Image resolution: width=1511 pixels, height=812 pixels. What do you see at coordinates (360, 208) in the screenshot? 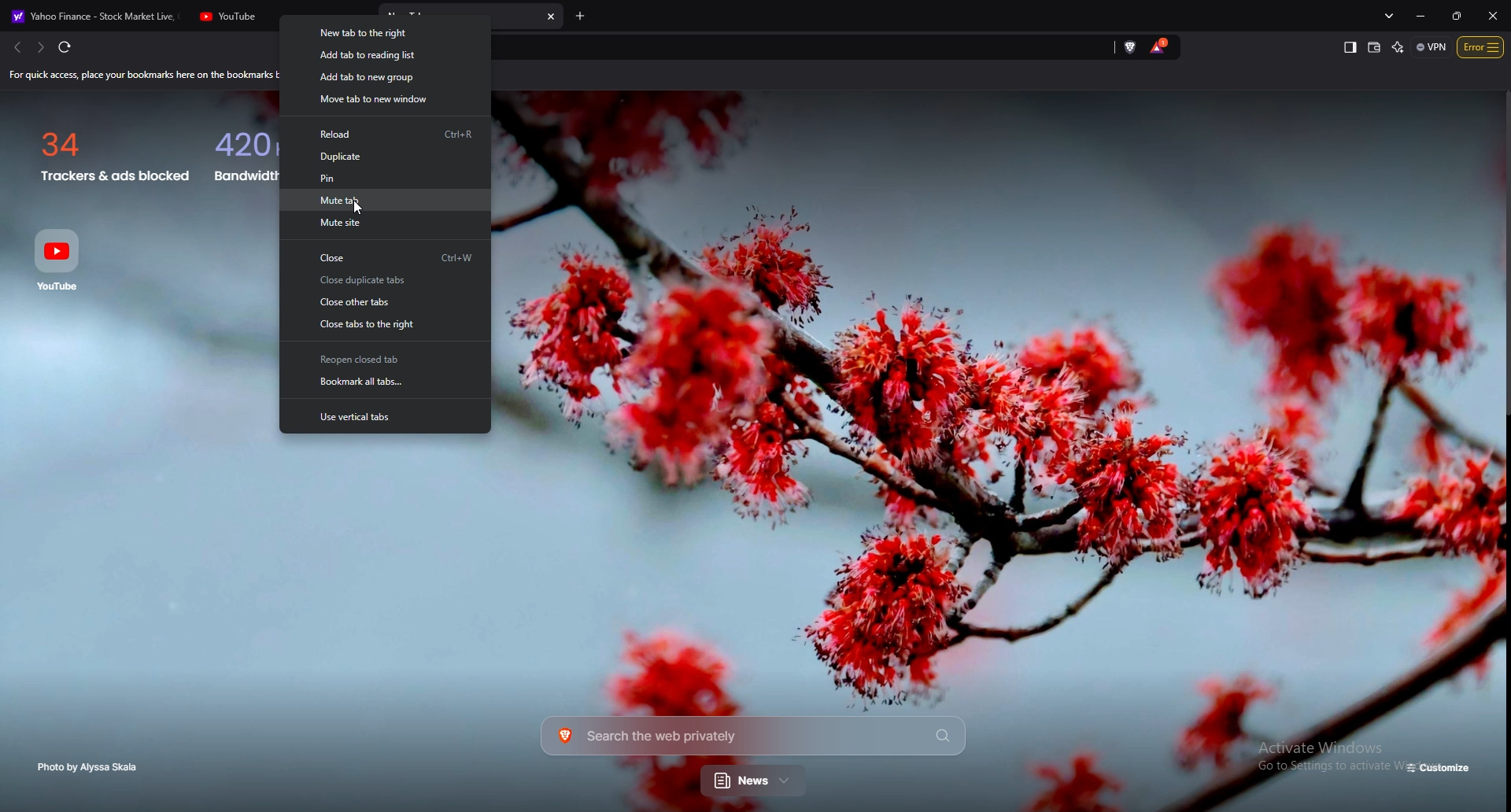
I see `Cursor` at bounding box center [360, 208].